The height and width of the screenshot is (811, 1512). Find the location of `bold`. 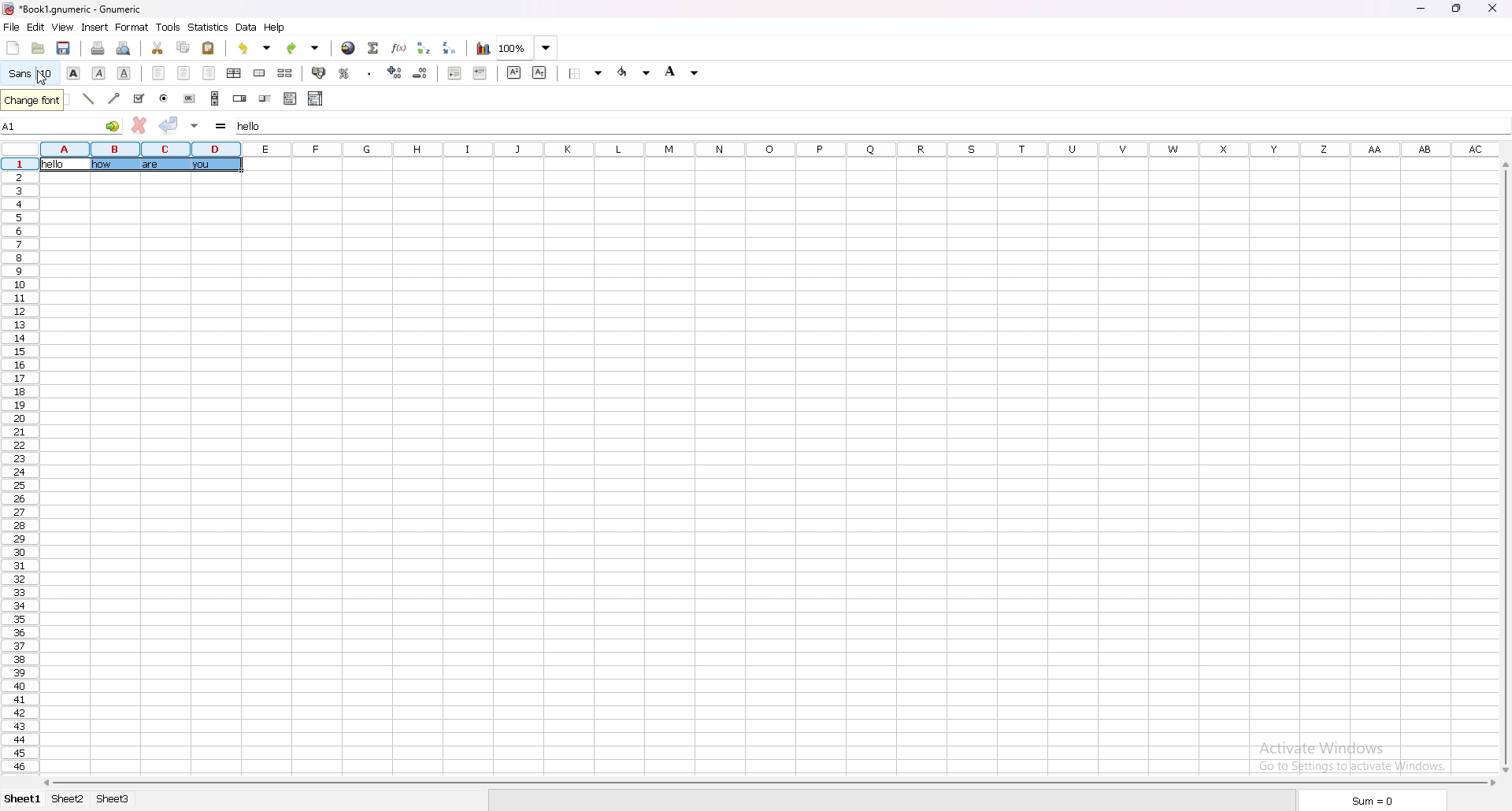

bold is located at coordinates (73, 72).